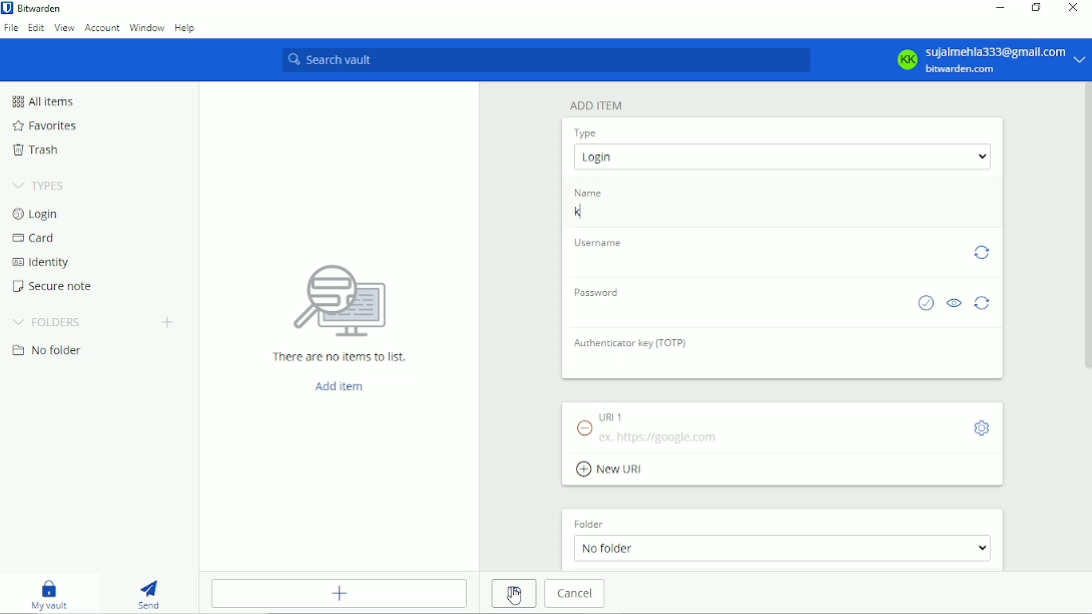 This screenshot has height=614, width=1092. Describe the element at coordinates (984, 303) in the screenshot. I see `Generate password` at that location.